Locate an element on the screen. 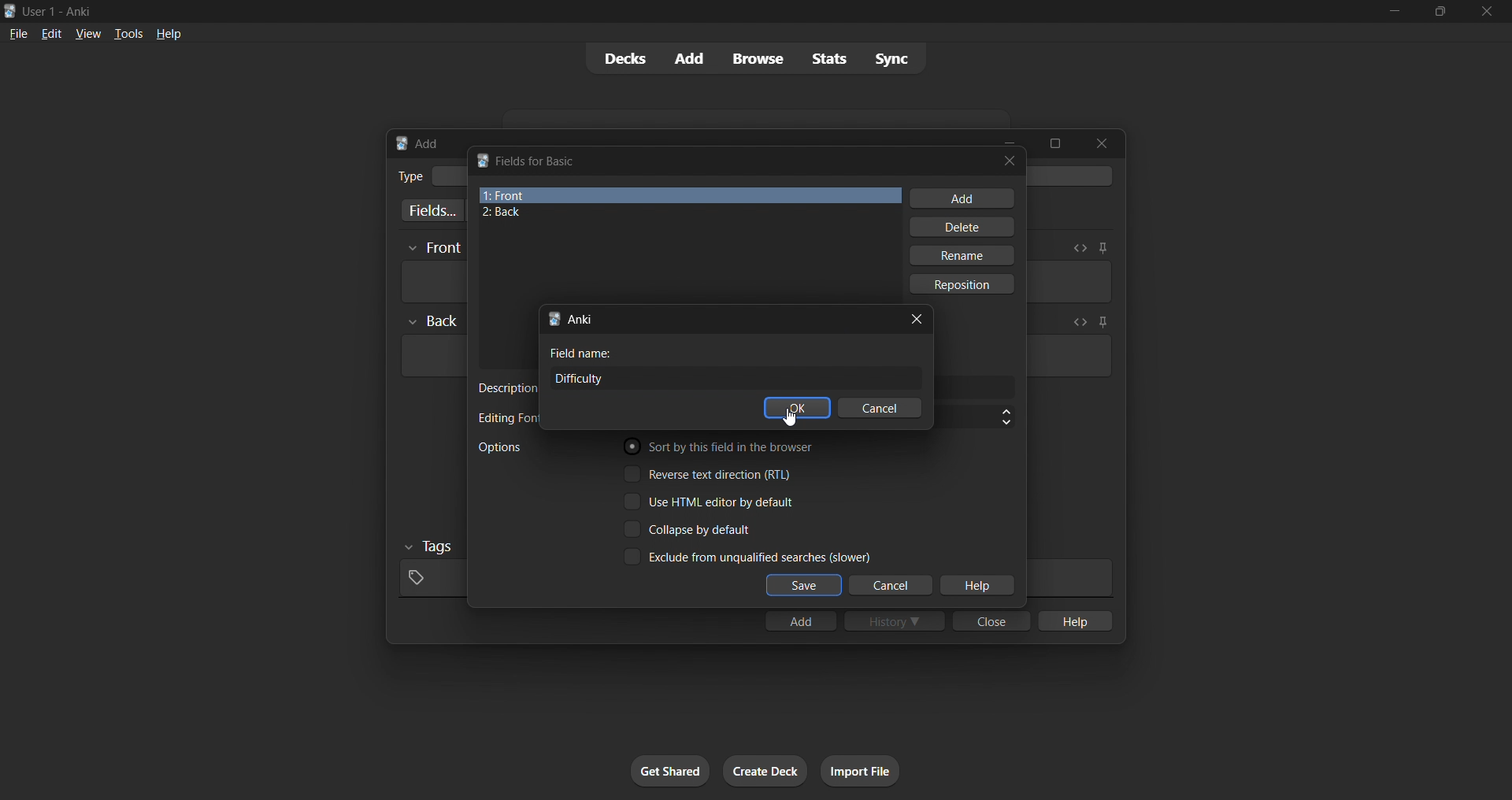  delete is located at coordinates (964, 227).